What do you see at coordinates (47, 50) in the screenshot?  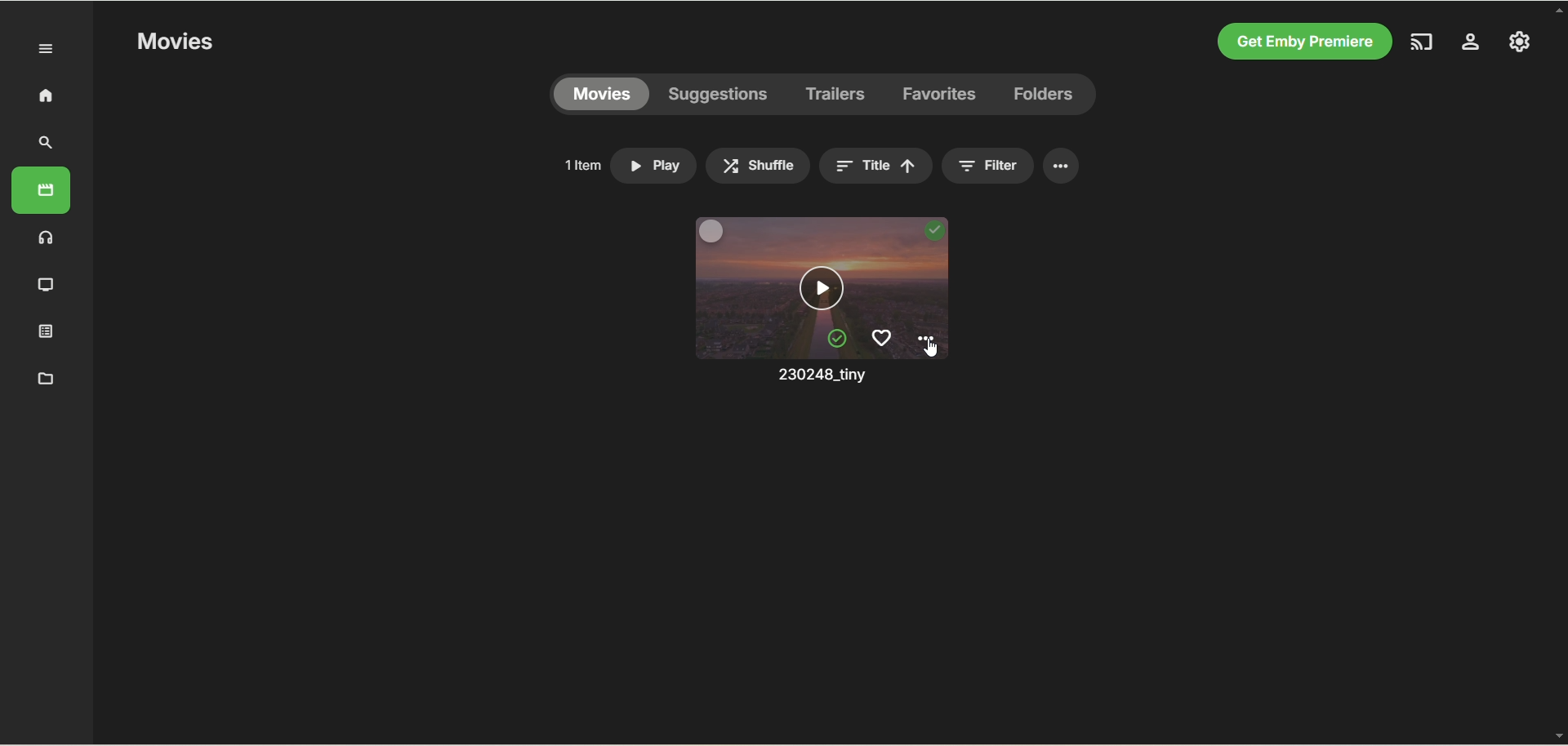 I see `Expand` at bounding box center [47, 50].